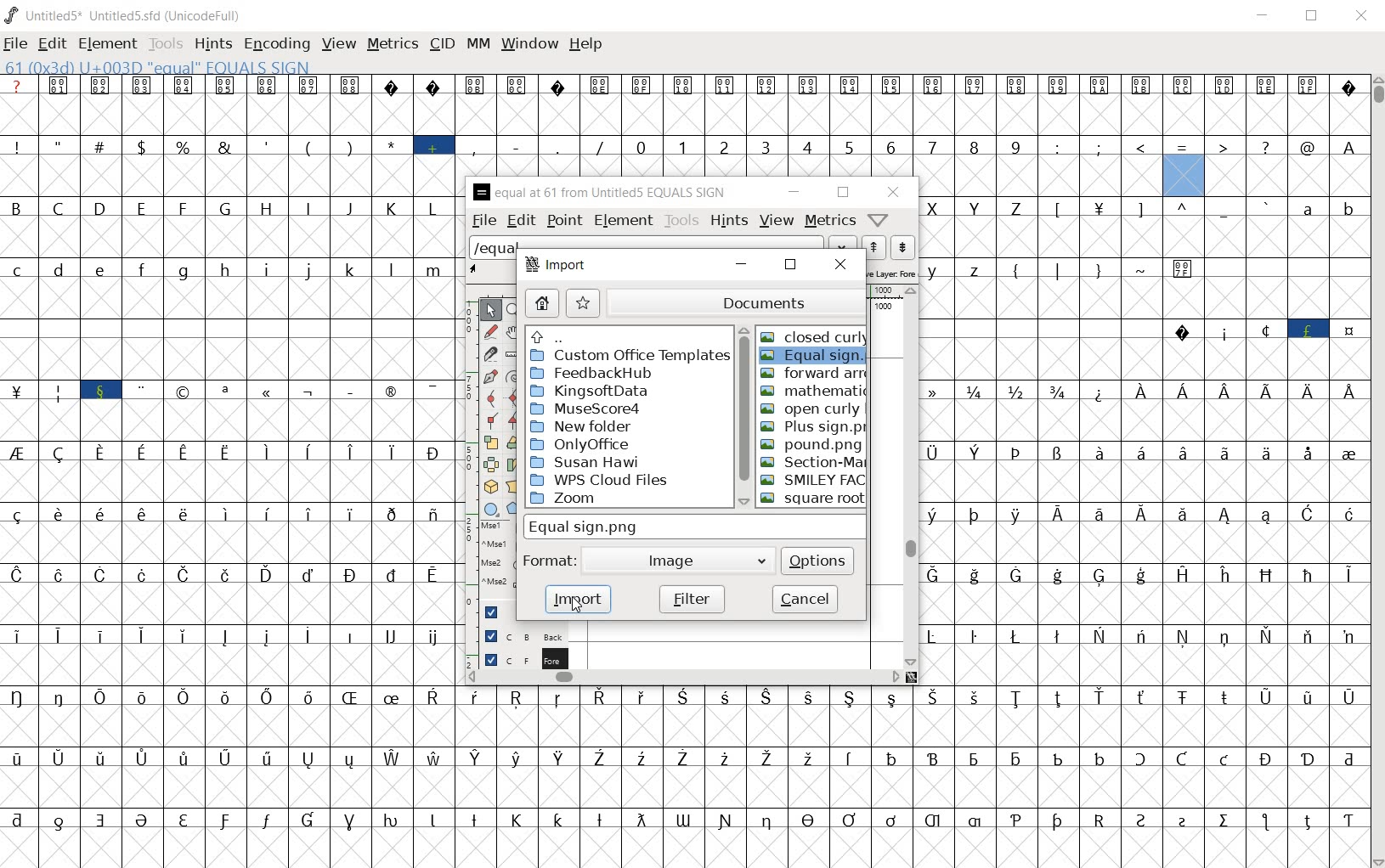  What do you see at coordinates (548, 560) in the screenshot?
I see `format` at bounding box center [548, 560].